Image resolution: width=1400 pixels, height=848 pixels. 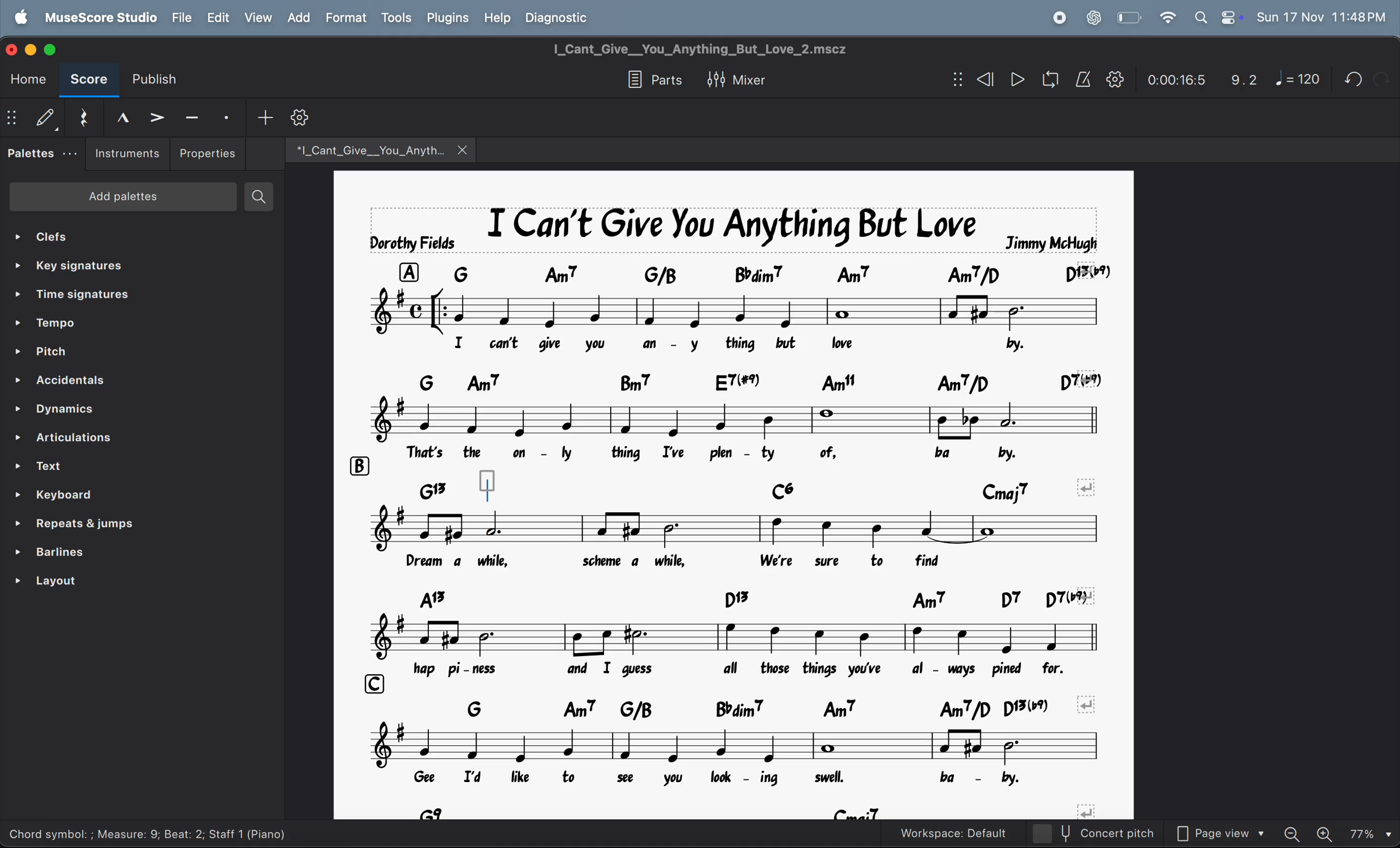 What do you see at coordinates (134, 265) in the screenshot?
I see `key signature` at bounding box center [134, 265].